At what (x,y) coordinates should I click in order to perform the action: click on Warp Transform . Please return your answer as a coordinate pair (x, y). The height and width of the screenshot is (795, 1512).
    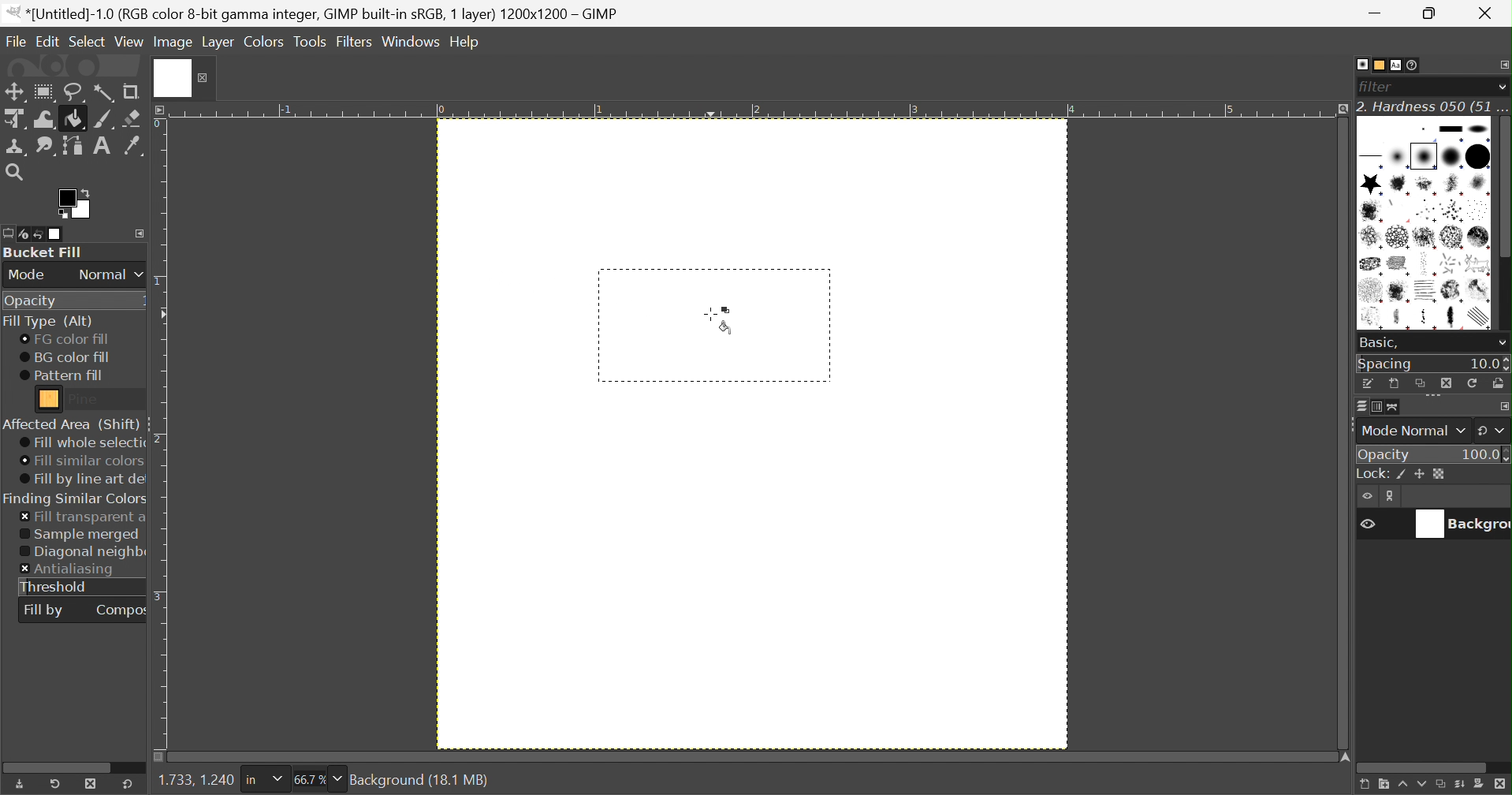
    Looking at the image, I should click on (45, 119).